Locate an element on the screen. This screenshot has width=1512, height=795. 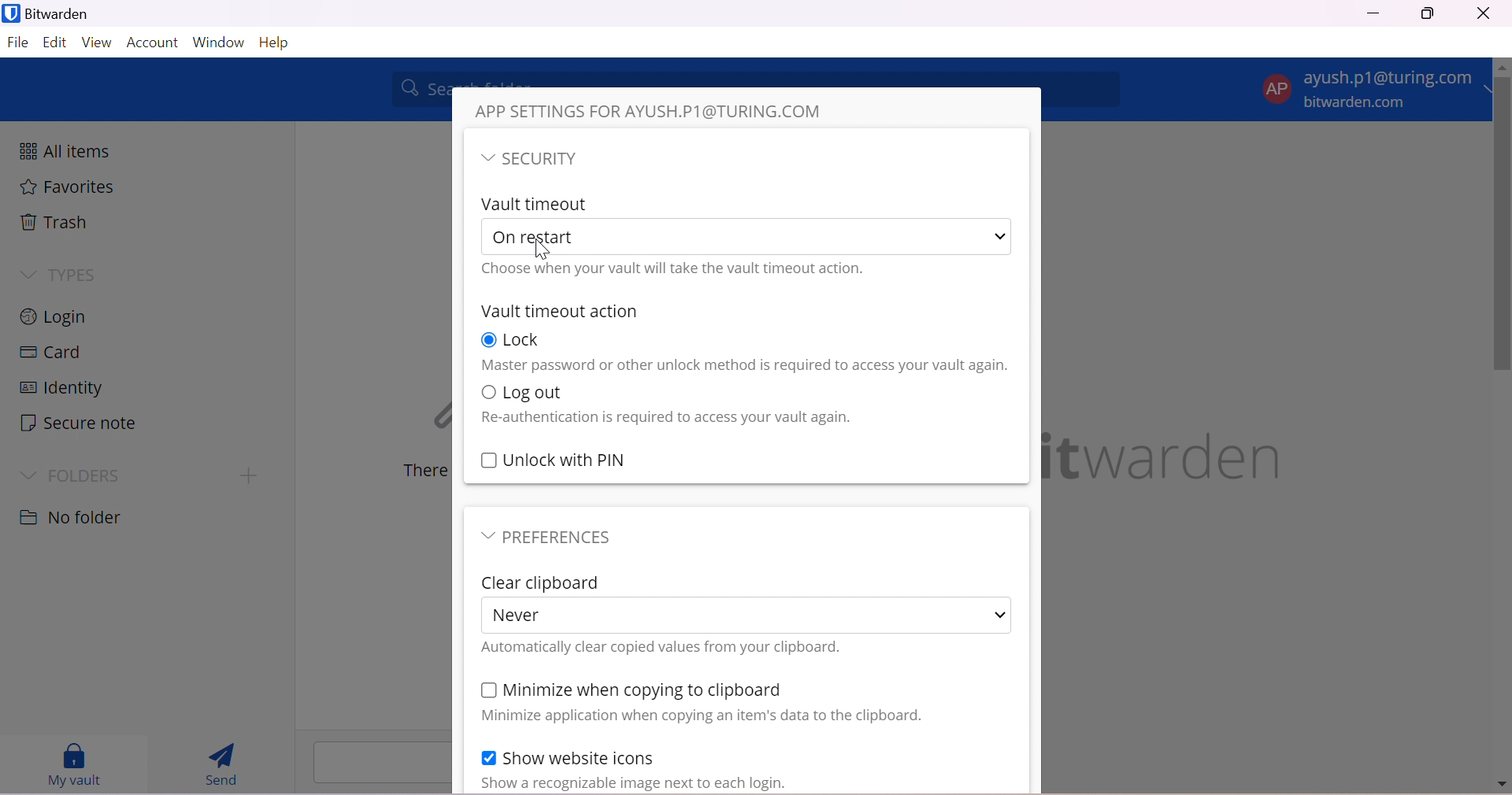
Unlock with PIN is located at coordinates (568, 459).